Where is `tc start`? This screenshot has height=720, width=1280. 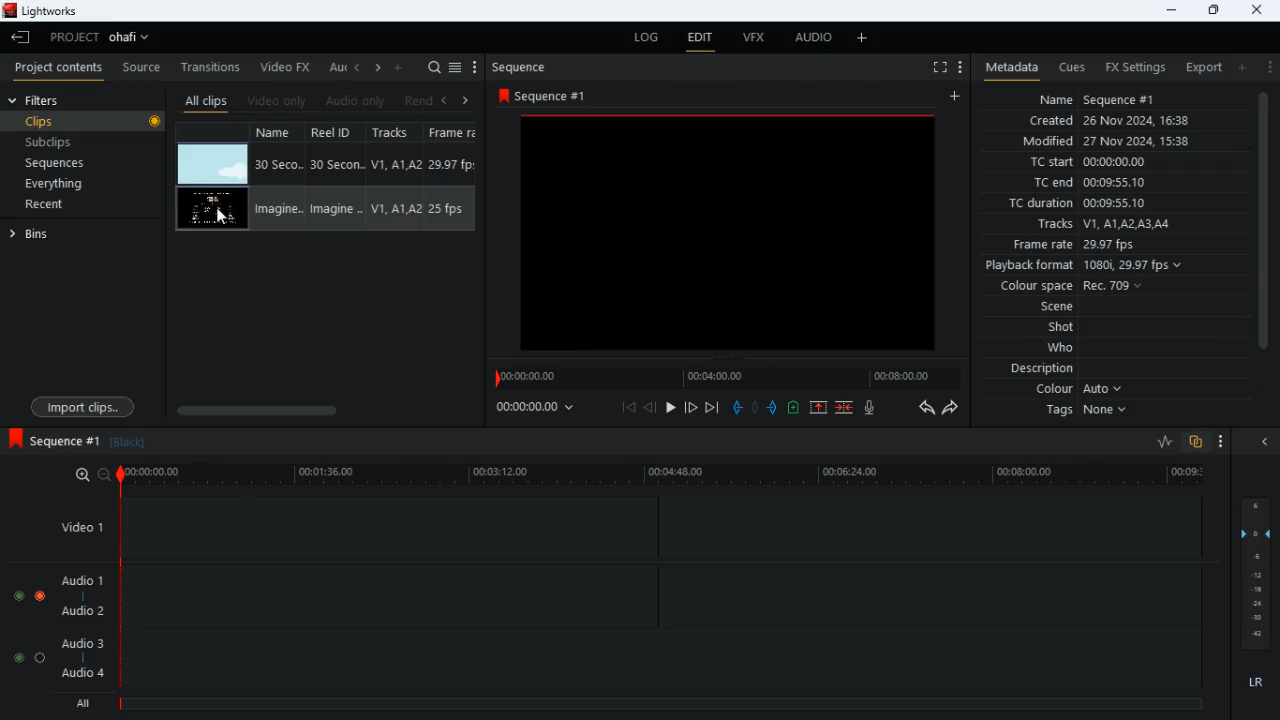
tc start is located at coordinates (1091, 162).